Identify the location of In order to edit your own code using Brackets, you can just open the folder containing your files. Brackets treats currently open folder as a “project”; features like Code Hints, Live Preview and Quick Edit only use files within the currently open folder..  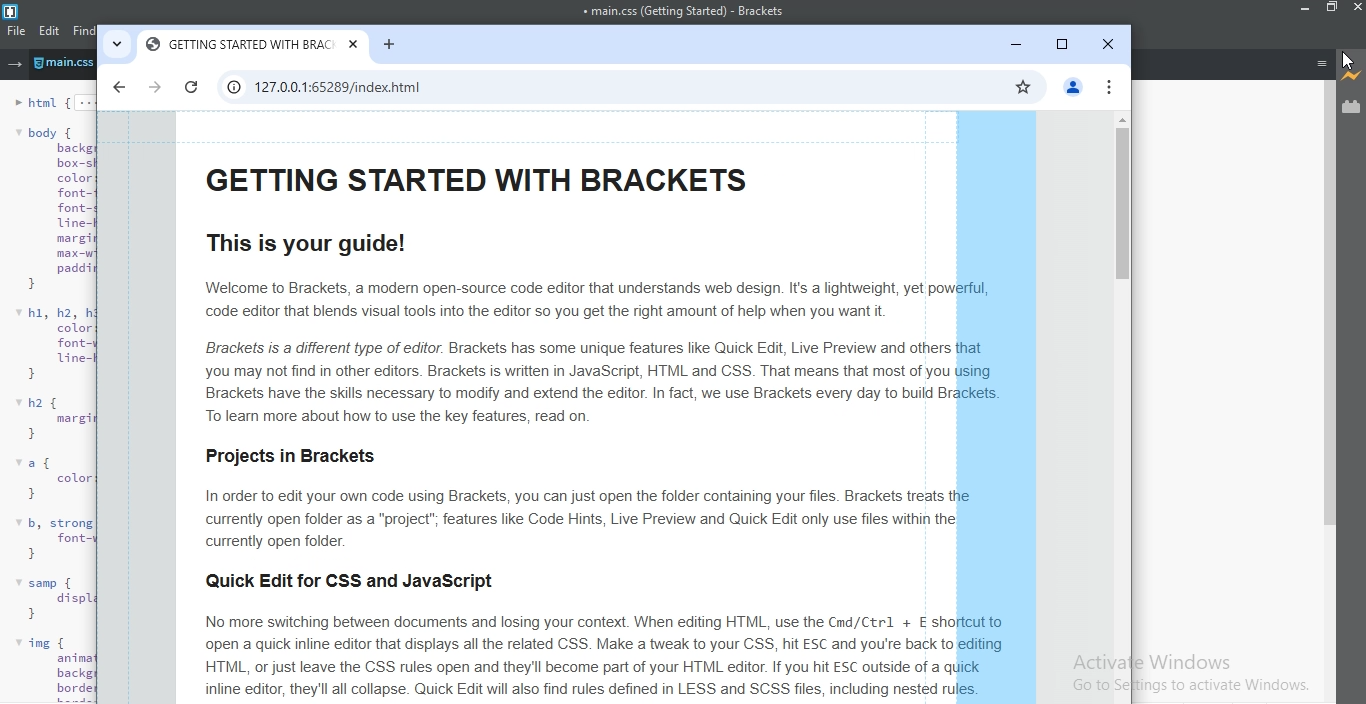
(611, 523).